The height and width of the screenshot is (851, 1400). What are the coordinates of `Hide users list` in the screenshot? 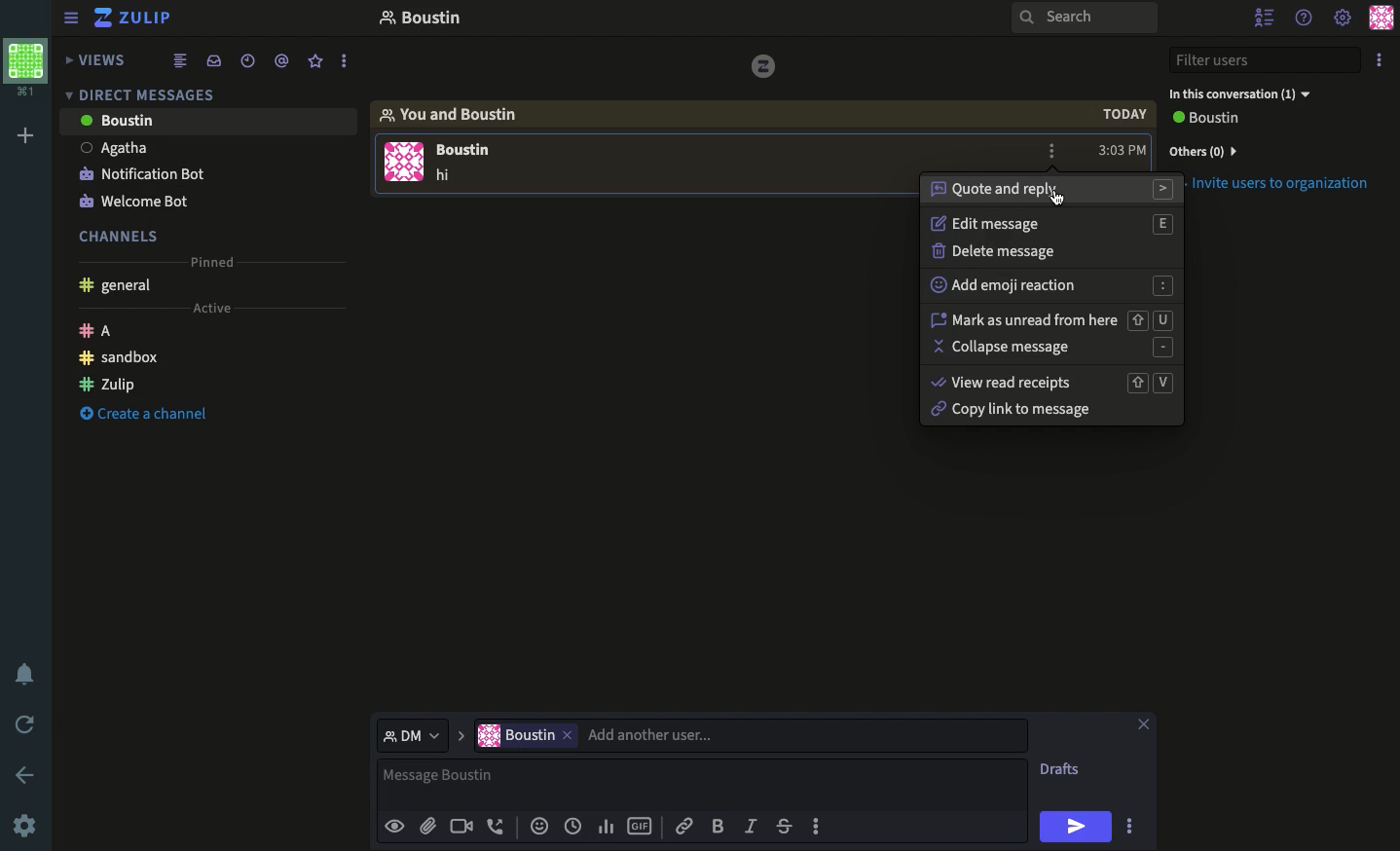 It's located at (1266, 17).